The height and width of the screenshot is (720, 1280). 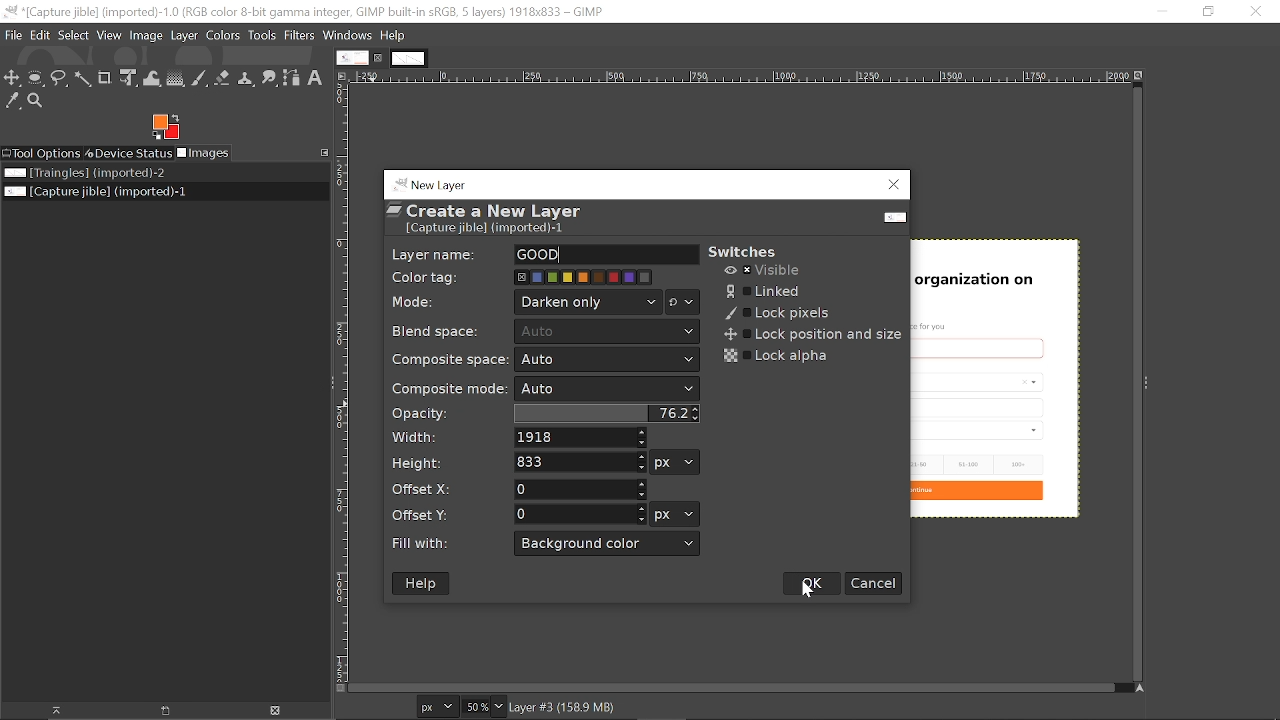 What do you see at coordinates (605, 254) in the screenshot?
I see `Layer name` at bounding box center [605, 254].